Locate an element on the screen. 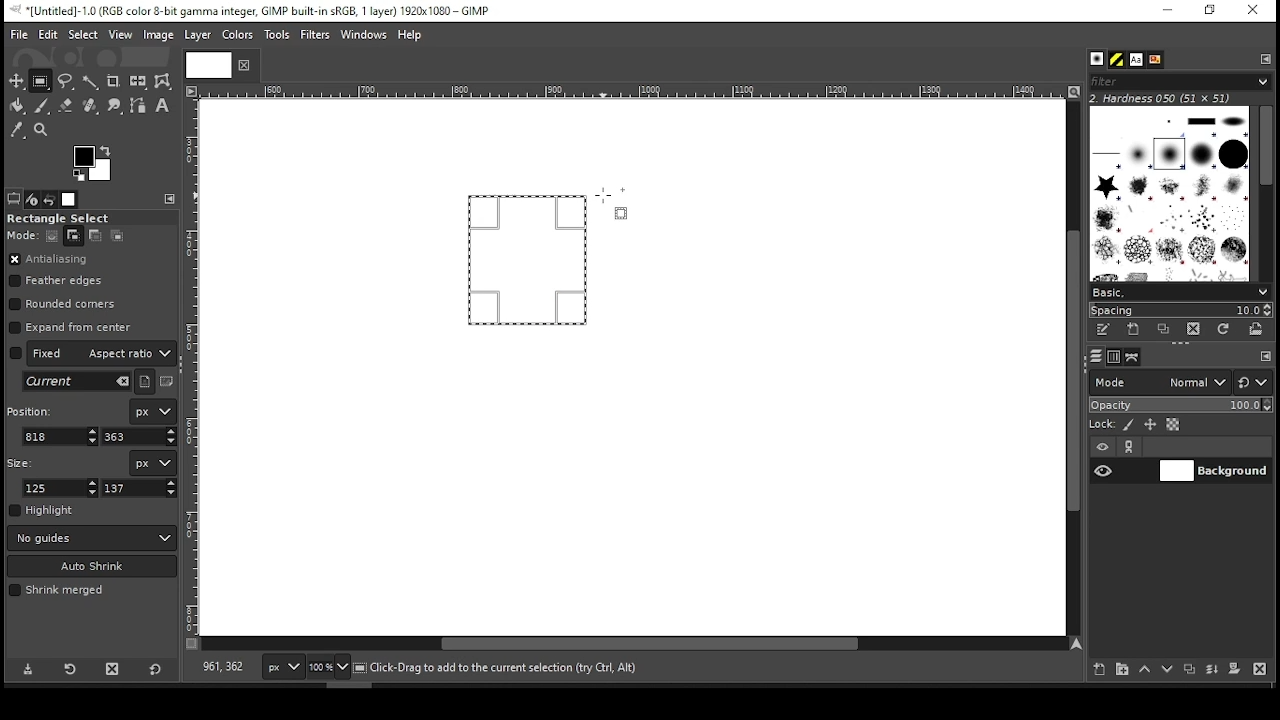  scroll bar is located at coordinates (1071, 367).